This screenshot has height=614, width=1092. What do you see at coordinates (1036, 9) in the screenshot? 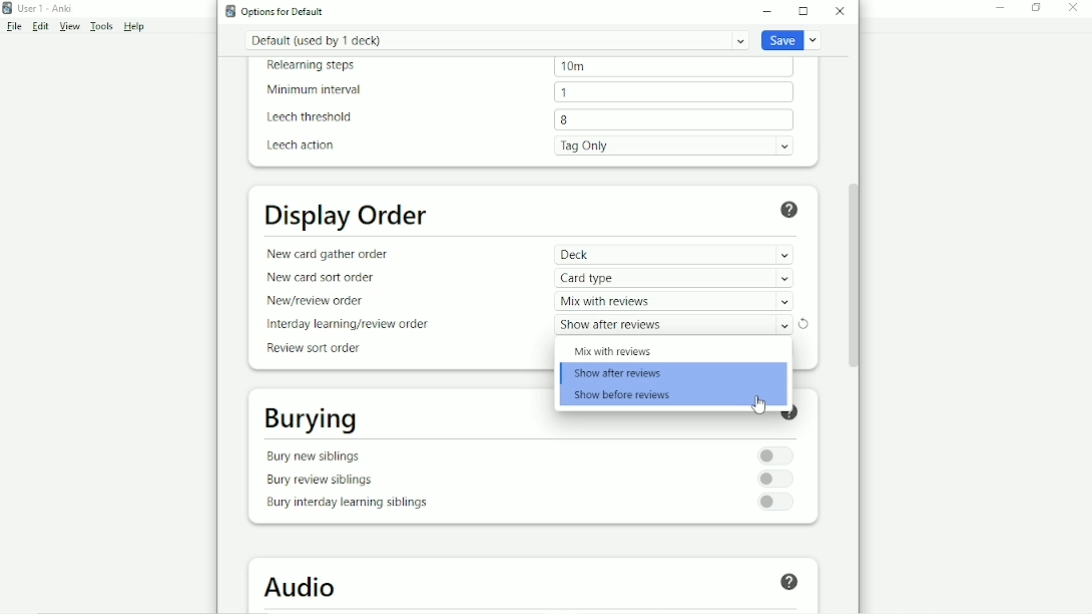
I see `Restore down` at bounding box center [1036, 9].